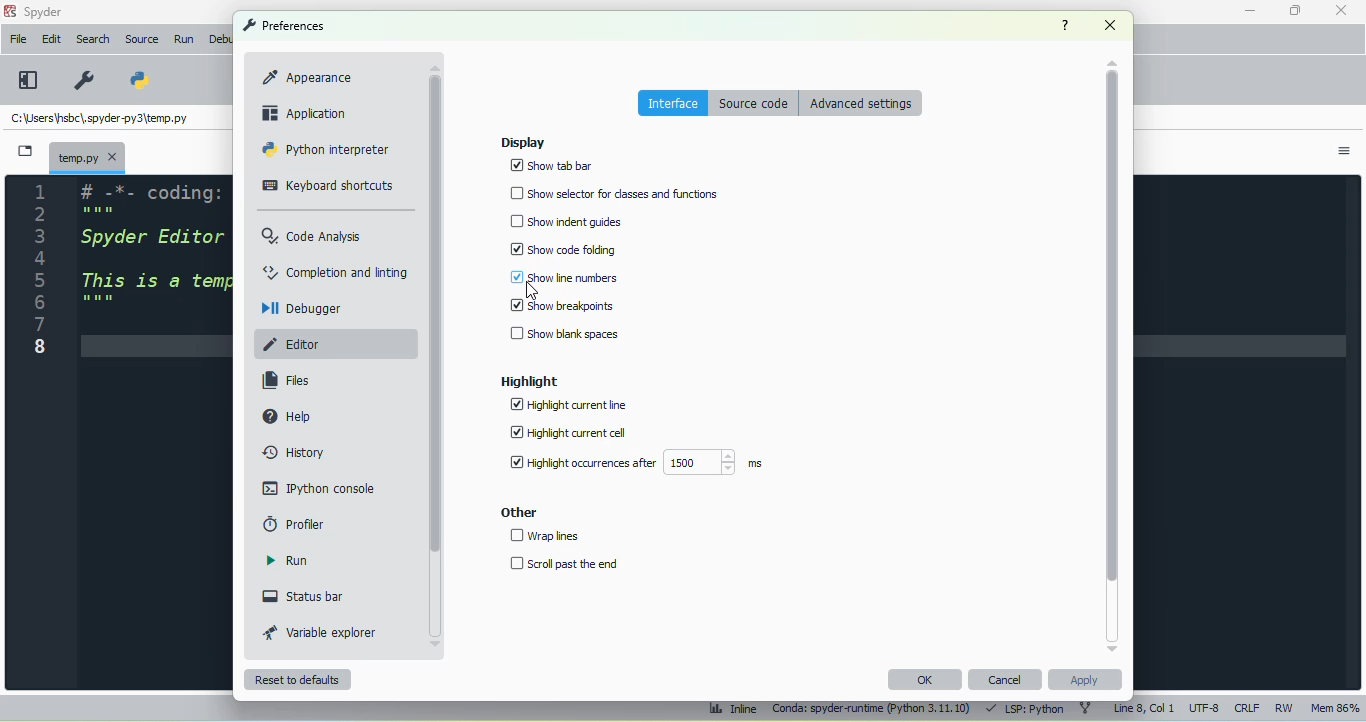 This screenshot has width=1366, height=722. Describe the element at coordinates (435, 315) in the screenshot. I see `vertical scroll bar` at that location.